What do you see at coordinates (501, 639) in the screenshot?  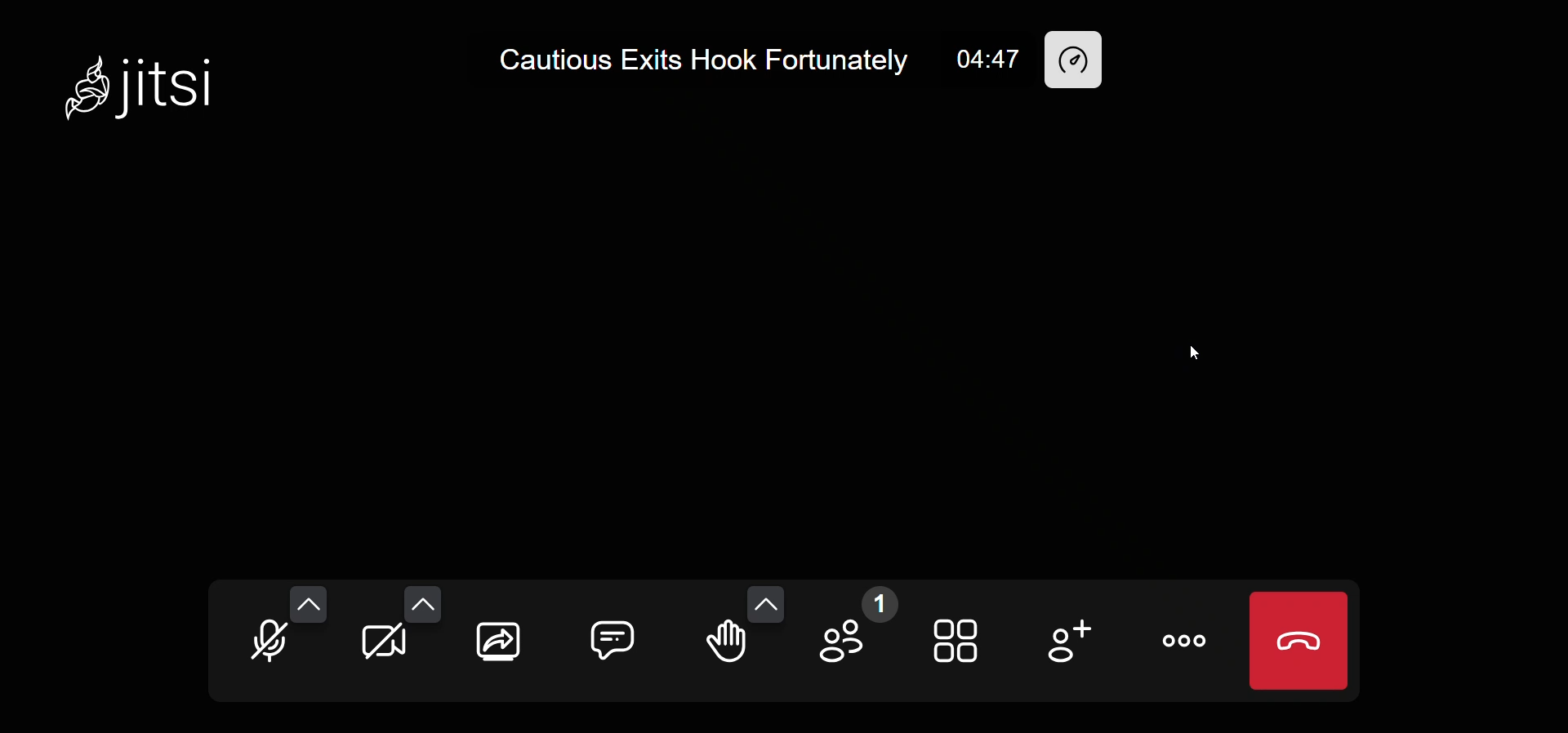 I see `screen share` at bounding box center [501, 639].